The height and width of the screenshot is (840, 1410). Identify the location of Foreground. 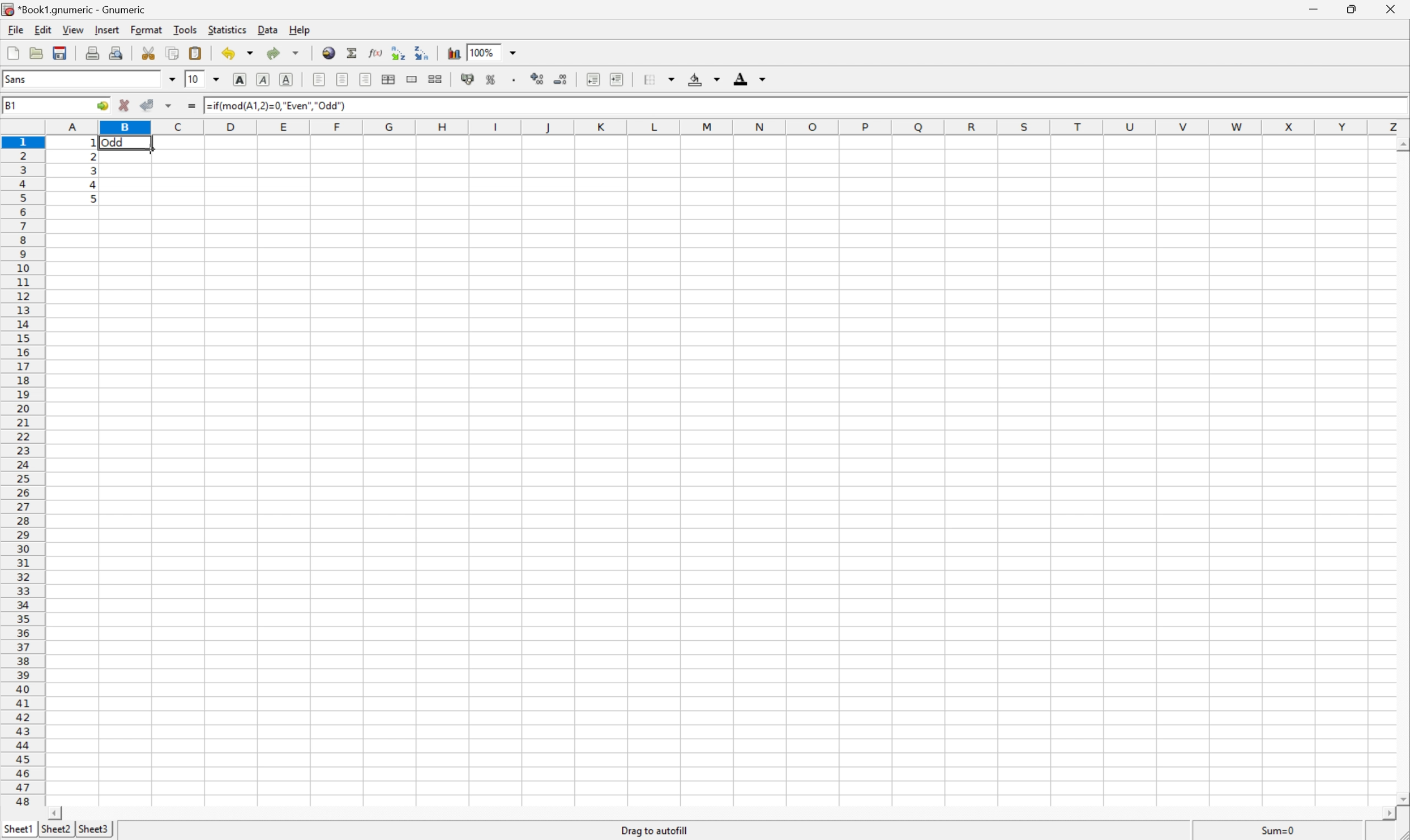
(751, 79).